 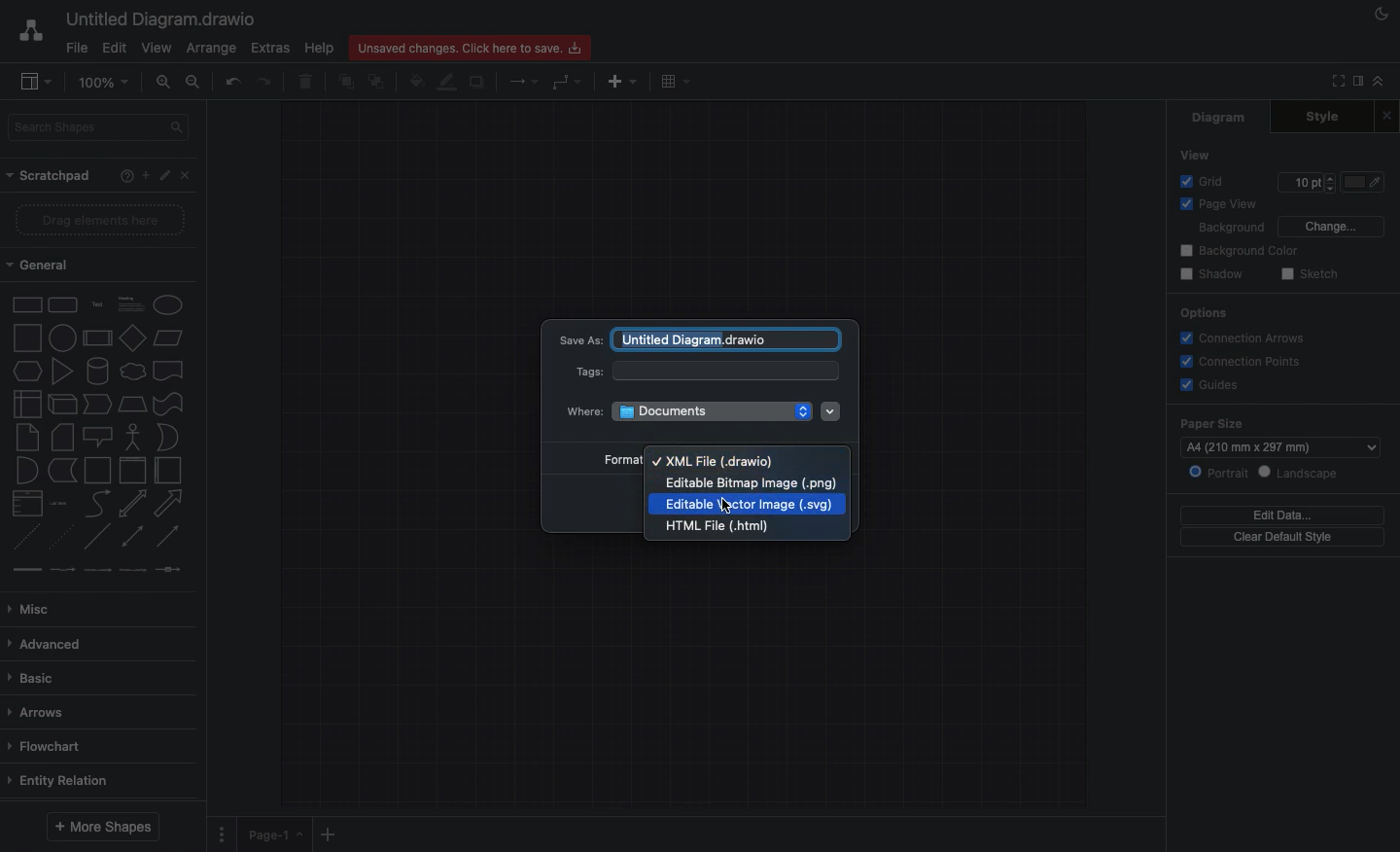 I want to click on Trash, so click(x=305, y=83).